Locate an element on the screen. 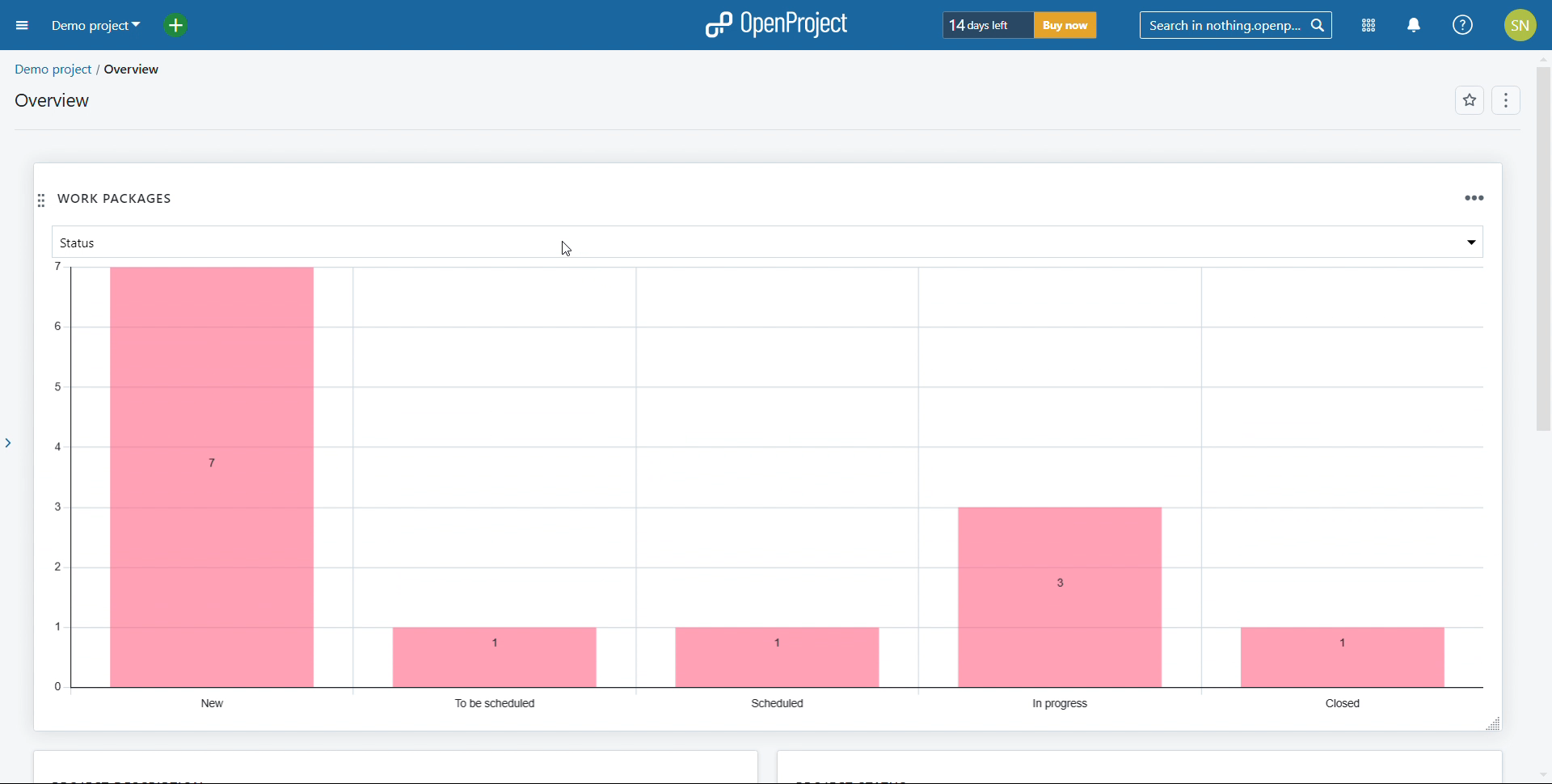 The height and width of the screenshot is (784, 1552). add project is located at coordinates (184, 26).